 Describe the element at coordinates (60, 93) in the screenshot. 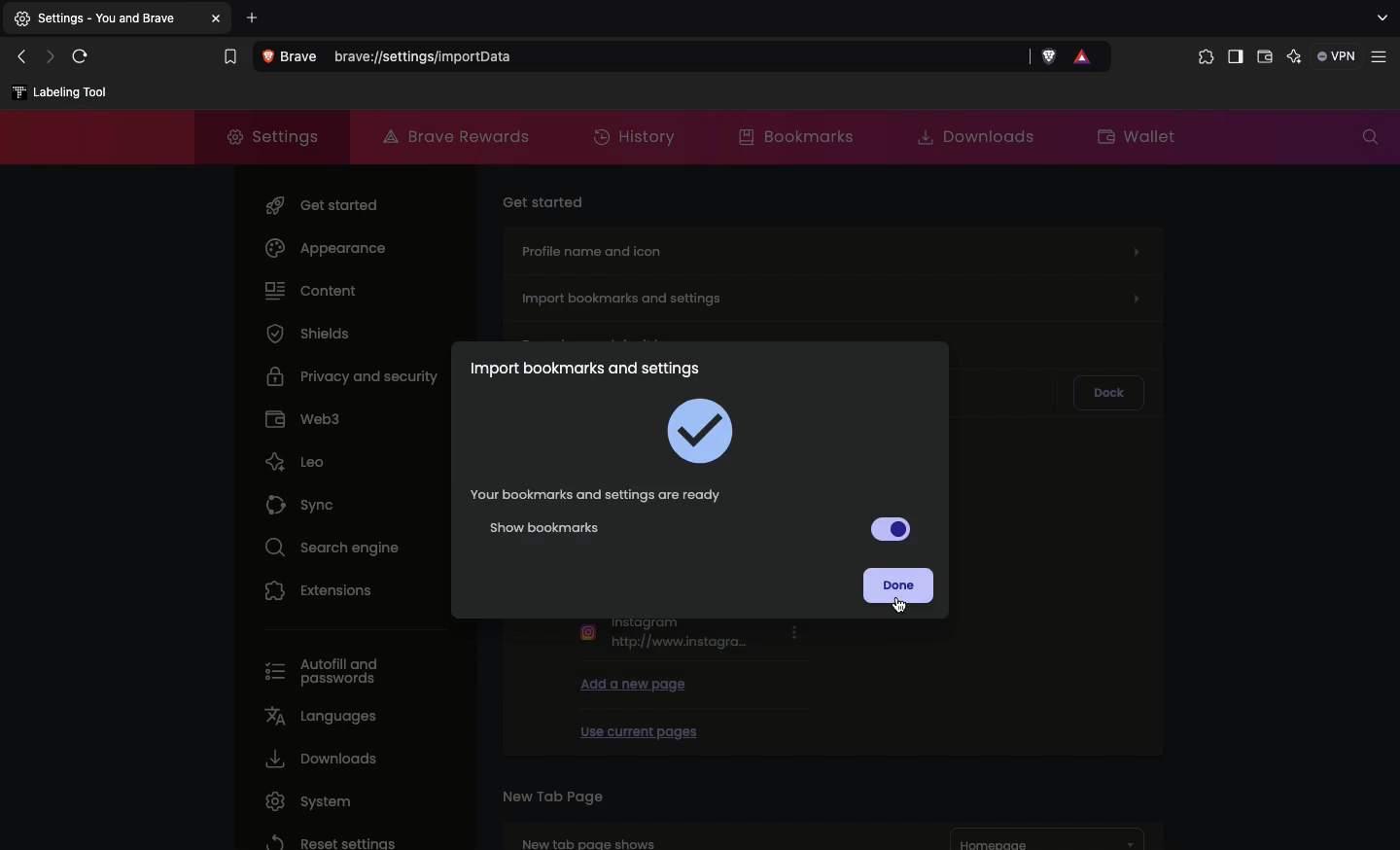

I see `New bookmark` at that location.